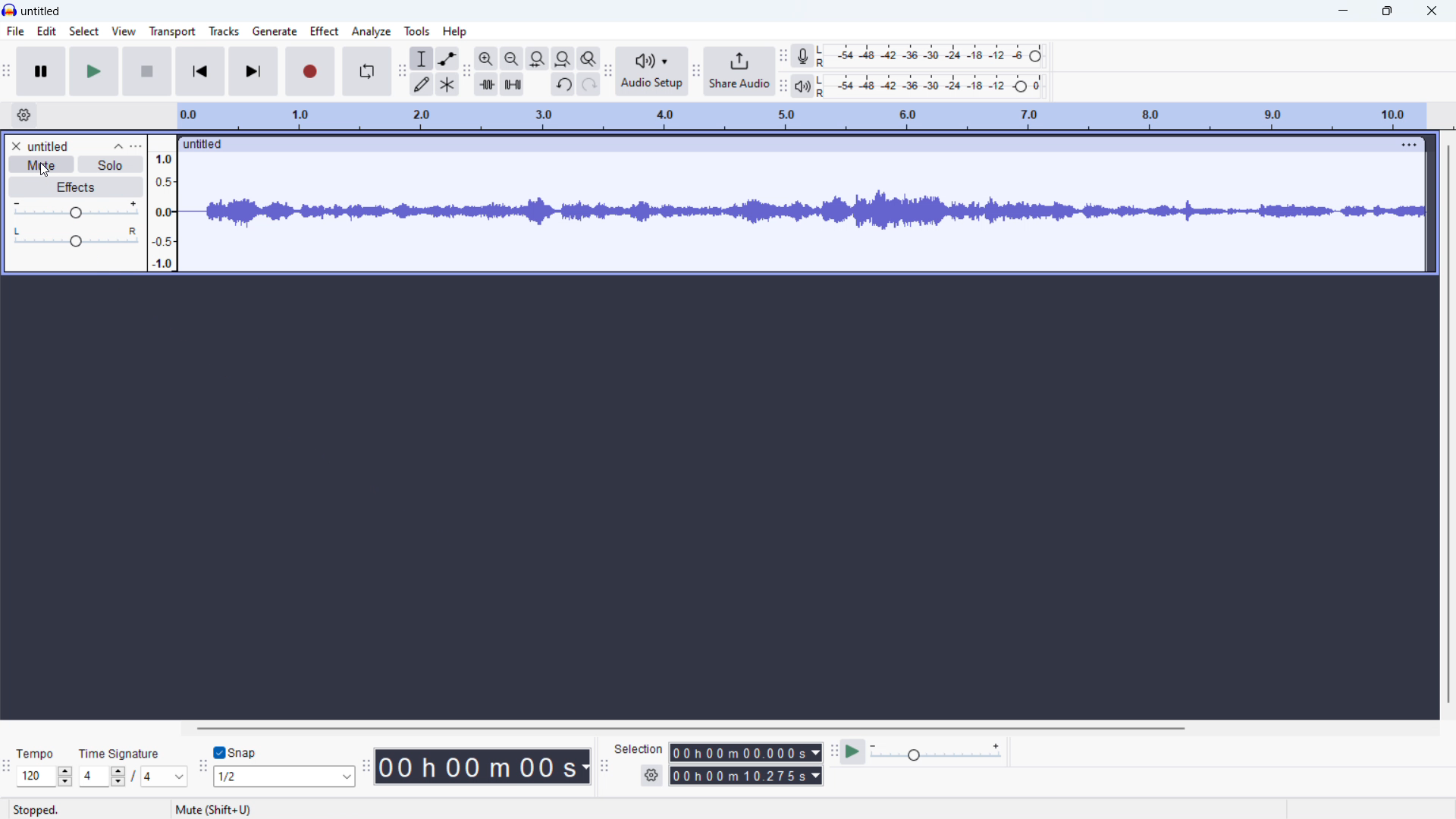 This screenshot has width=1456, height=819. I want to click on share audio, so click(739, 71).